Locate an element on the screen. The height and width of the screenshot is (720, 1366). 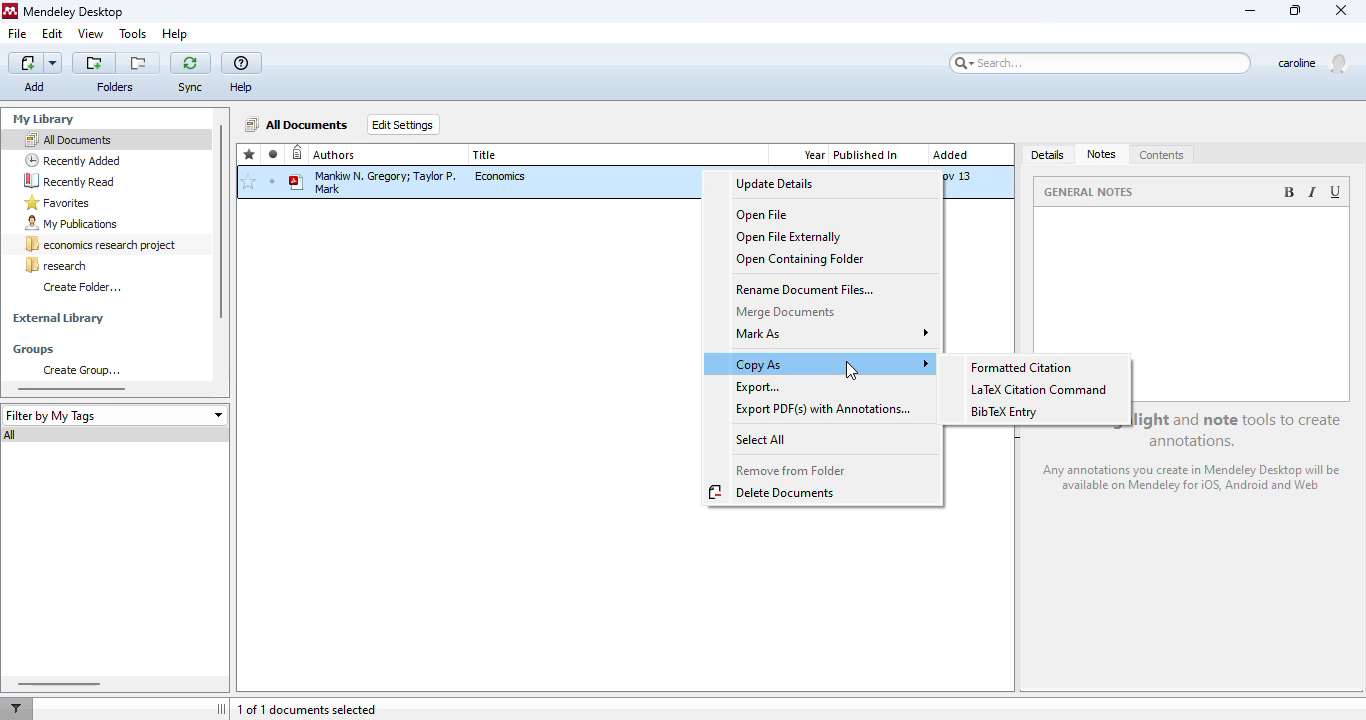
any annotations you create in Mendeley Desktop will be available on Mendeley for iOS, android and web. is located at coordinates (1195, 480).